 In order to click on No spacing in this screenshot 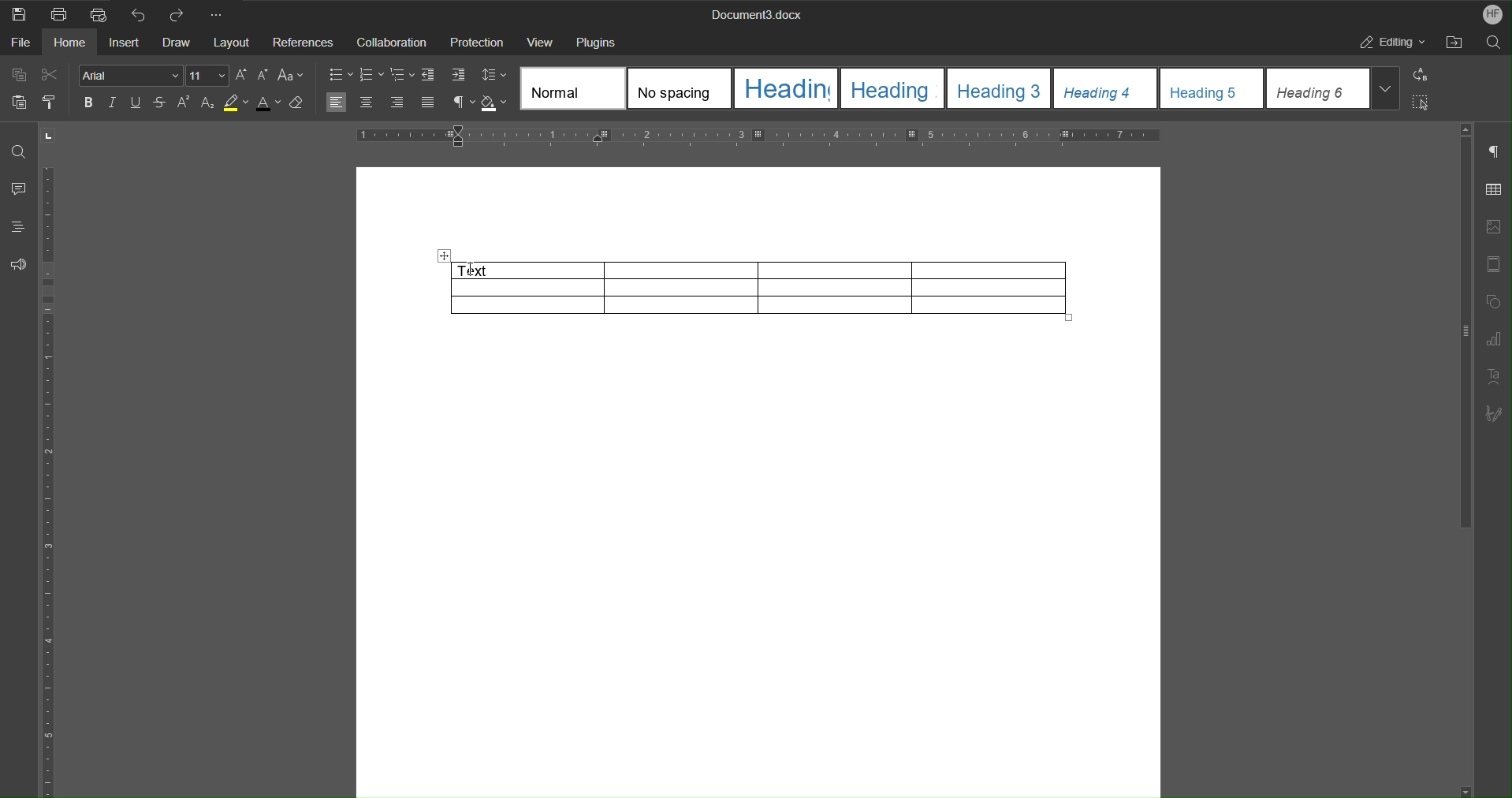, I will do `click(680, 89)`.